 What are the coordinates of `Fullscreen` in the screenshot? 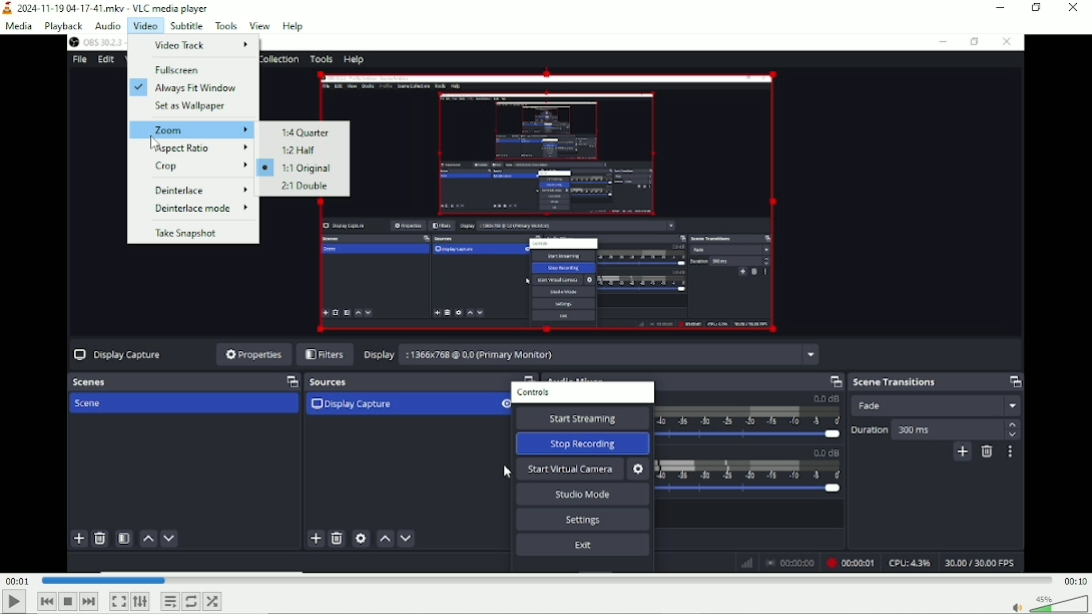 It's located at (193, 68).